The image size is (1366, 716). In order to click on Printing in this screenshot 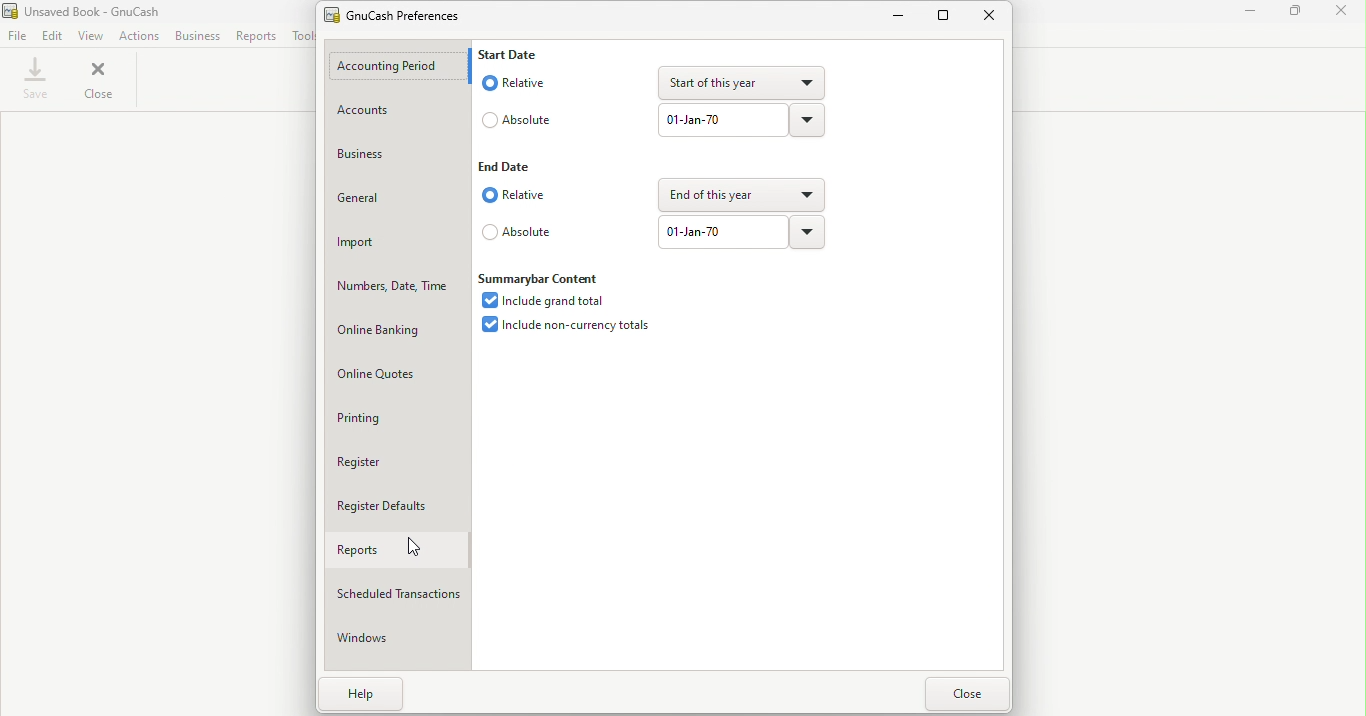, I will do `click(396, 419)`.